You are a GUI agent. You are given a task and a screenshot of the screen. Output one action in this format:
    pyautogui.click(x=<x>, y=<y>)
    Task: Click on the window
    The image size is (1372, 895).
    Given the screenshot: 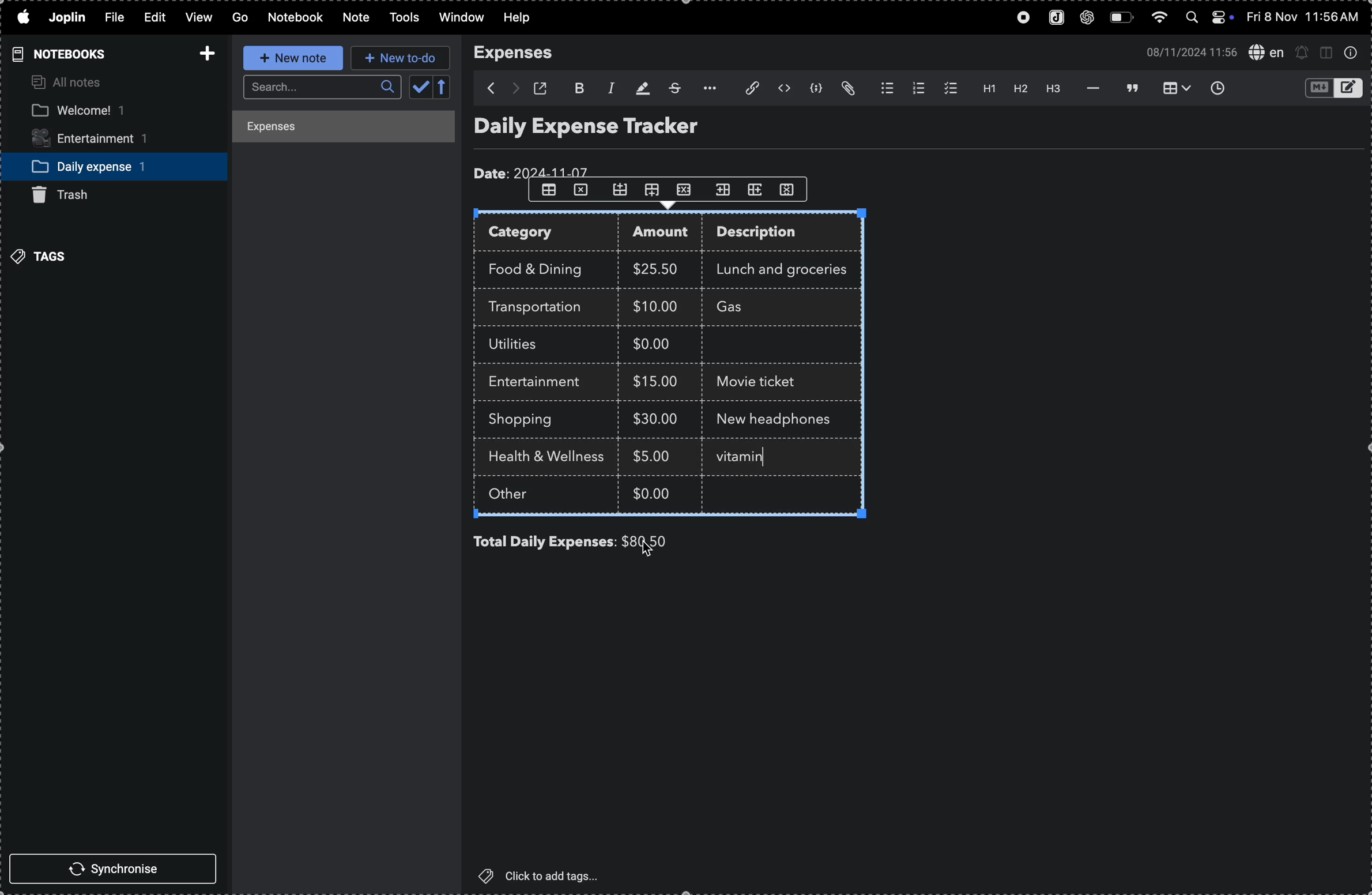 What is the action you would take?
    pyautogui.click(x=460, y=18)
    